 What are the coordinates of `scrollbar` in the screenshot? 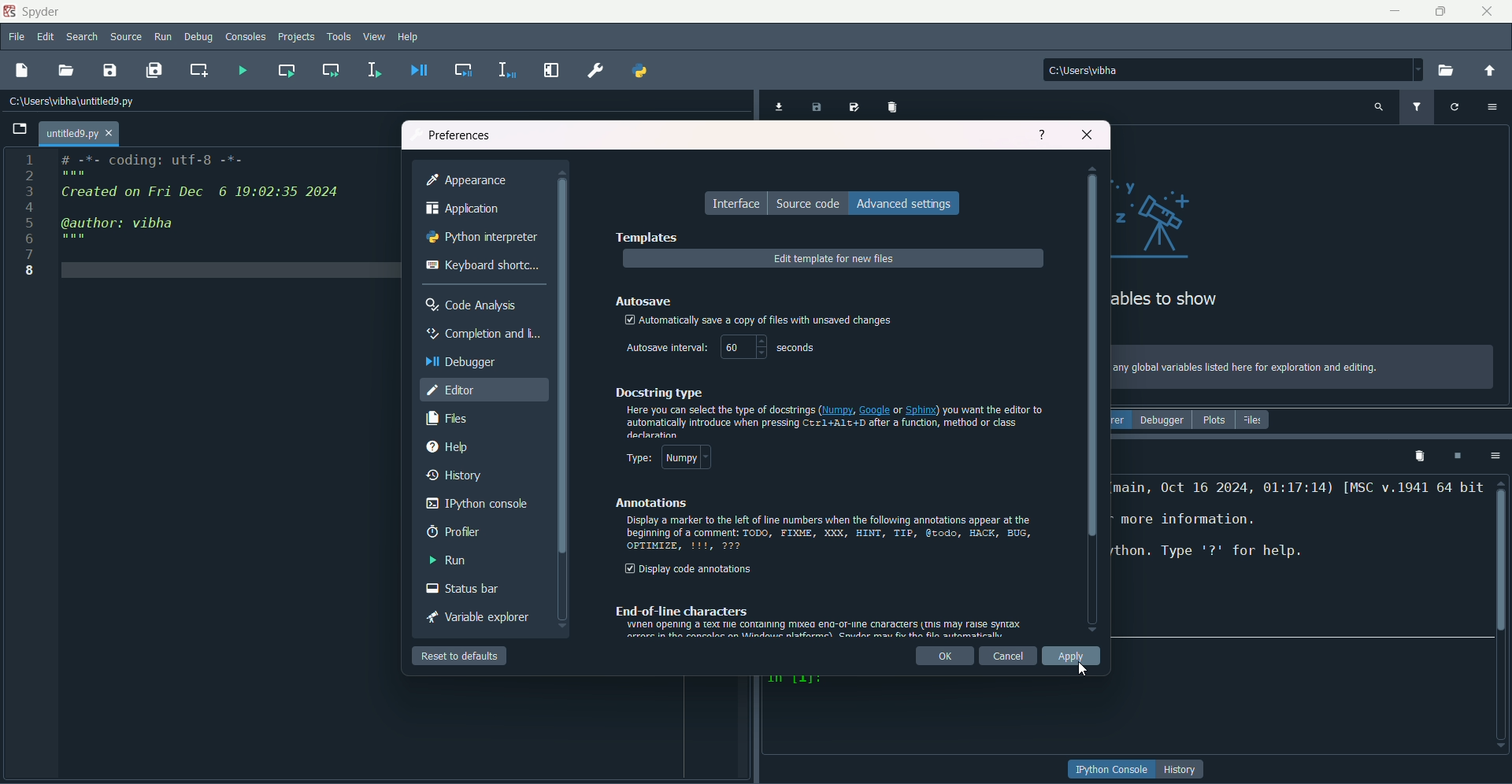 It's located at (1502, 556).